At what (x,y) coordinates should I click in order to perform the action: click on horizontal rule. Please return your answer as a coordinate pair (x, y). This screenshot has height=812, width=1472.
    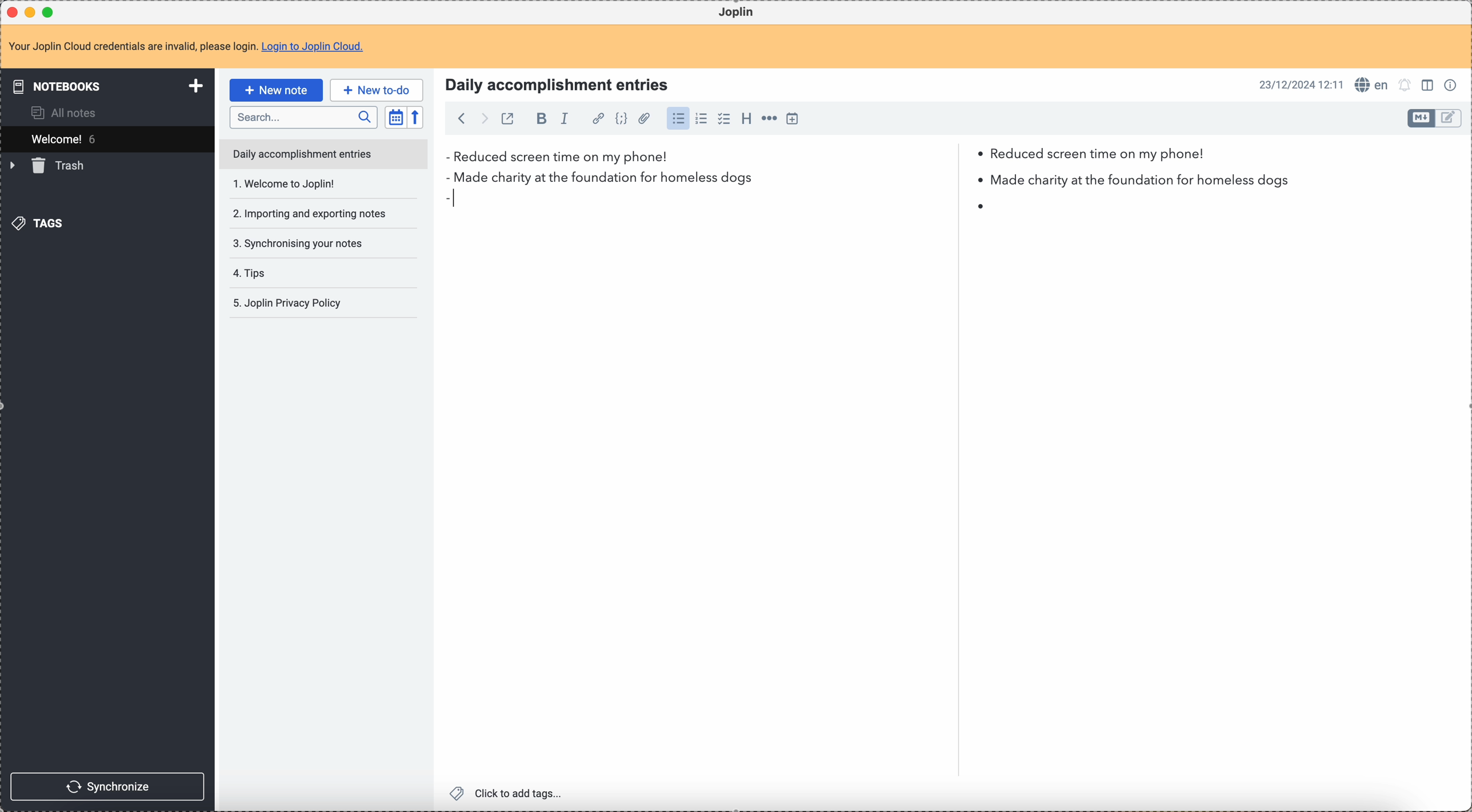
    Looking at the image, I should click on (769, 120).